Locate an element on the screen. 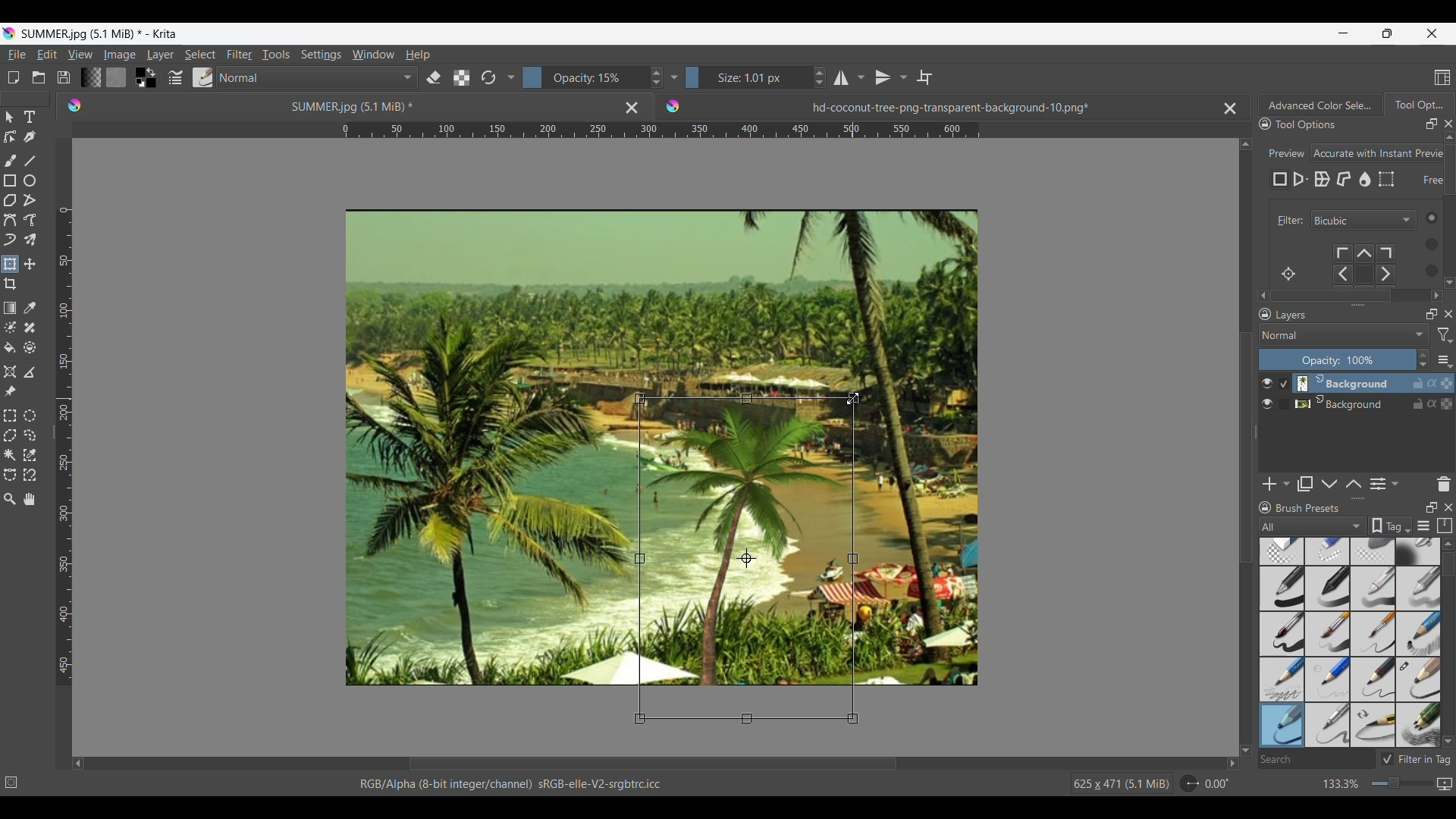 The image size is (1456, 819). Mouse moved transform tool selection is located at coordinates (853, 398).